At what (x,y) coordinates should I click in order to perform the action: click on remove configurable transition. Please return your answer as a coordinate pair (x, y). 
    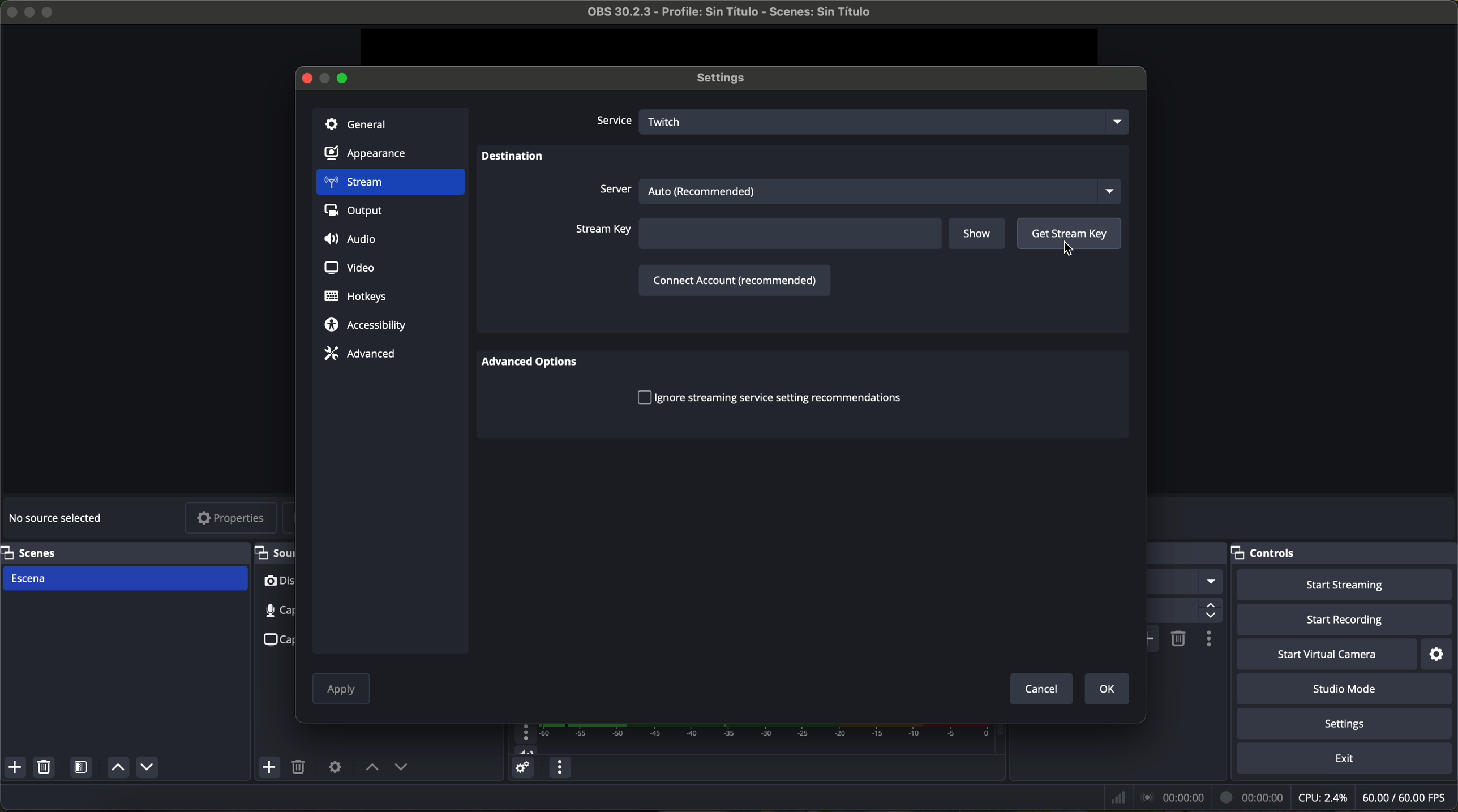
    Looking at the image, I should click on (1179, 638).